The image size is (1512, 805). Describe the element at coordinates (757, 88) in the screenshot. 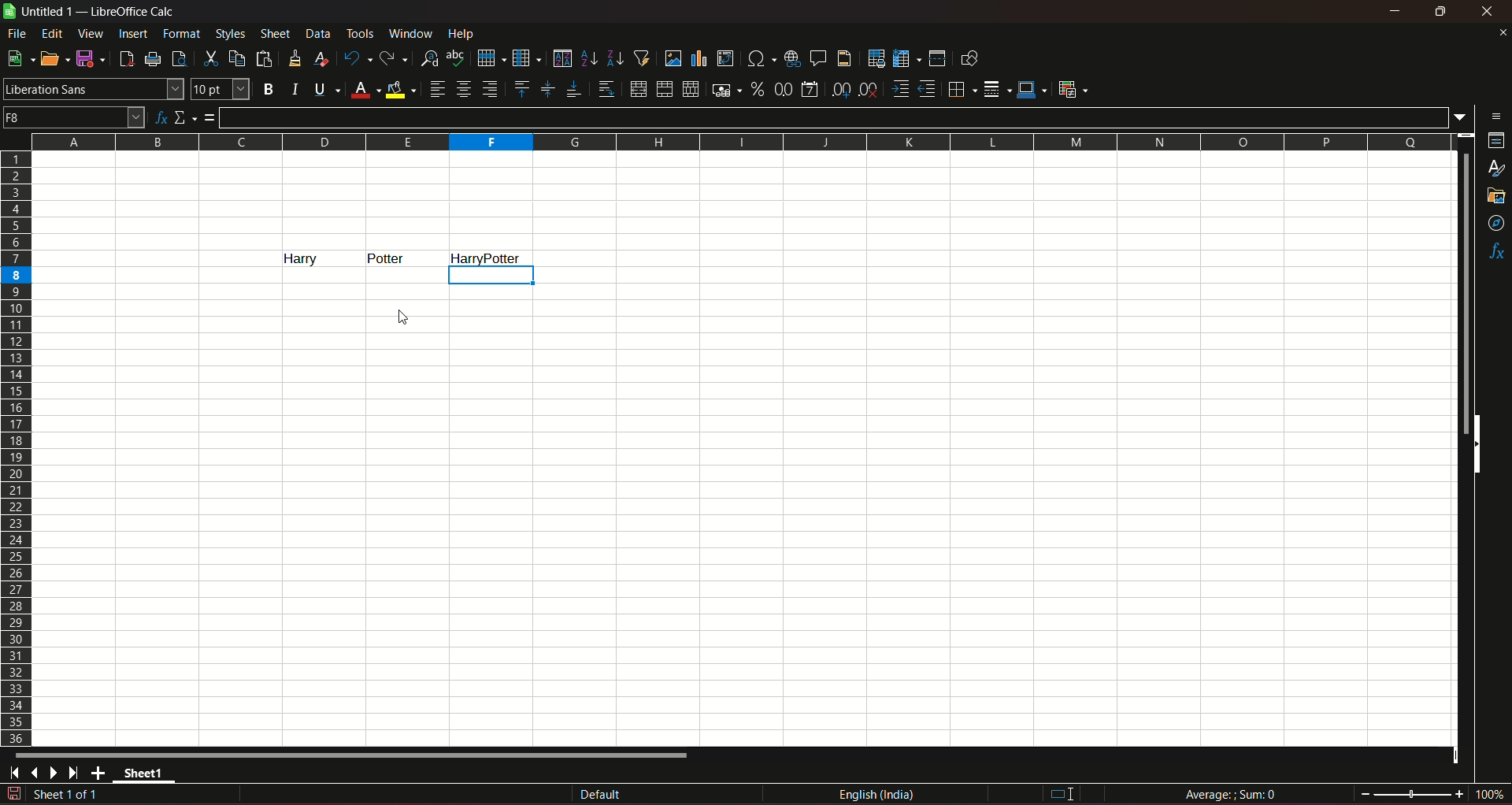

I see `format as percent` at that location.